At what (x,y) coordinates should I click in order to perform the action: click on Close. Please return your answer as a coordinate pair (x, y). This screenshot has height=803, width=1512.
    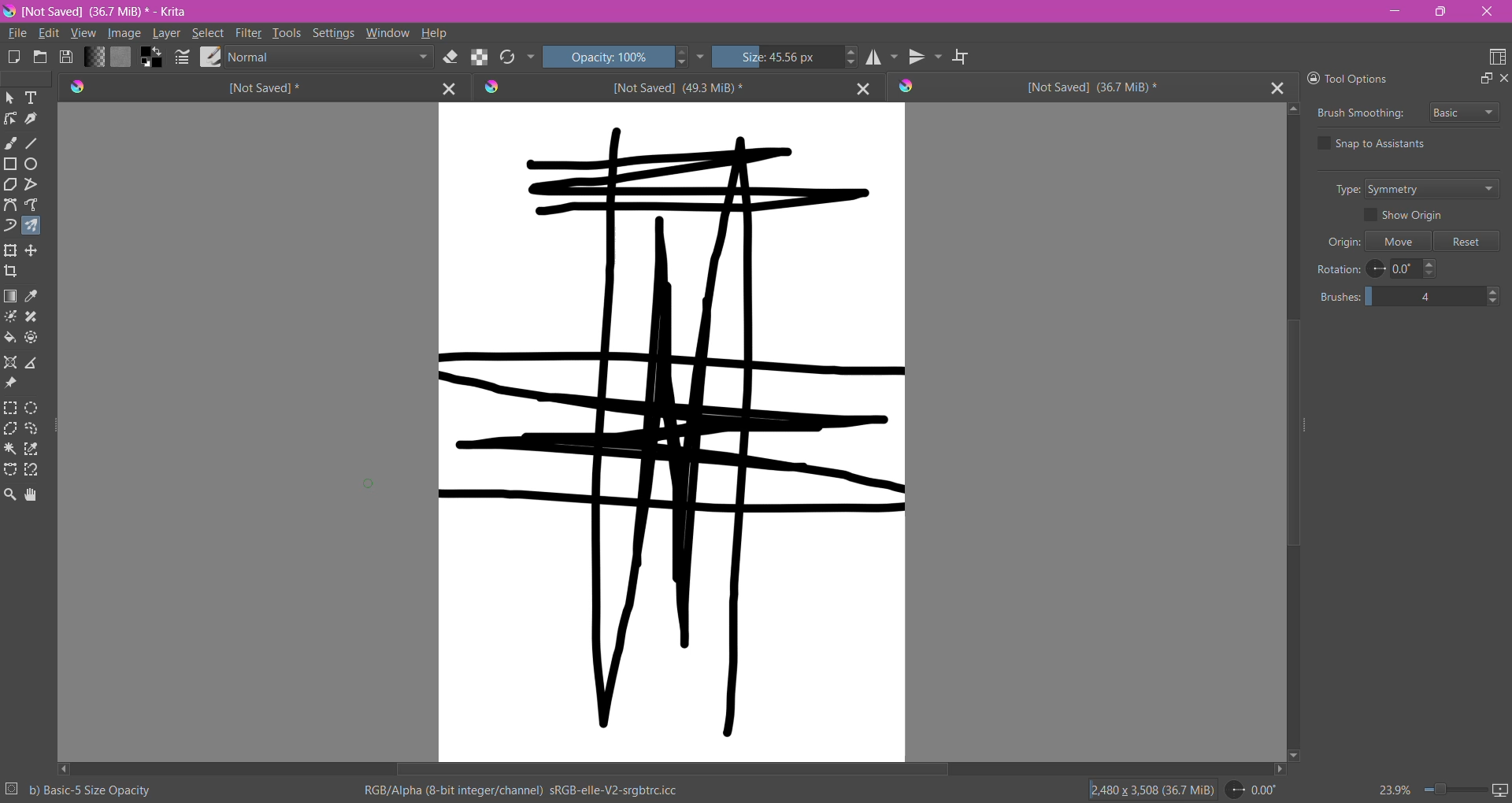
    Looking at the image, I should click on (1486, 13).